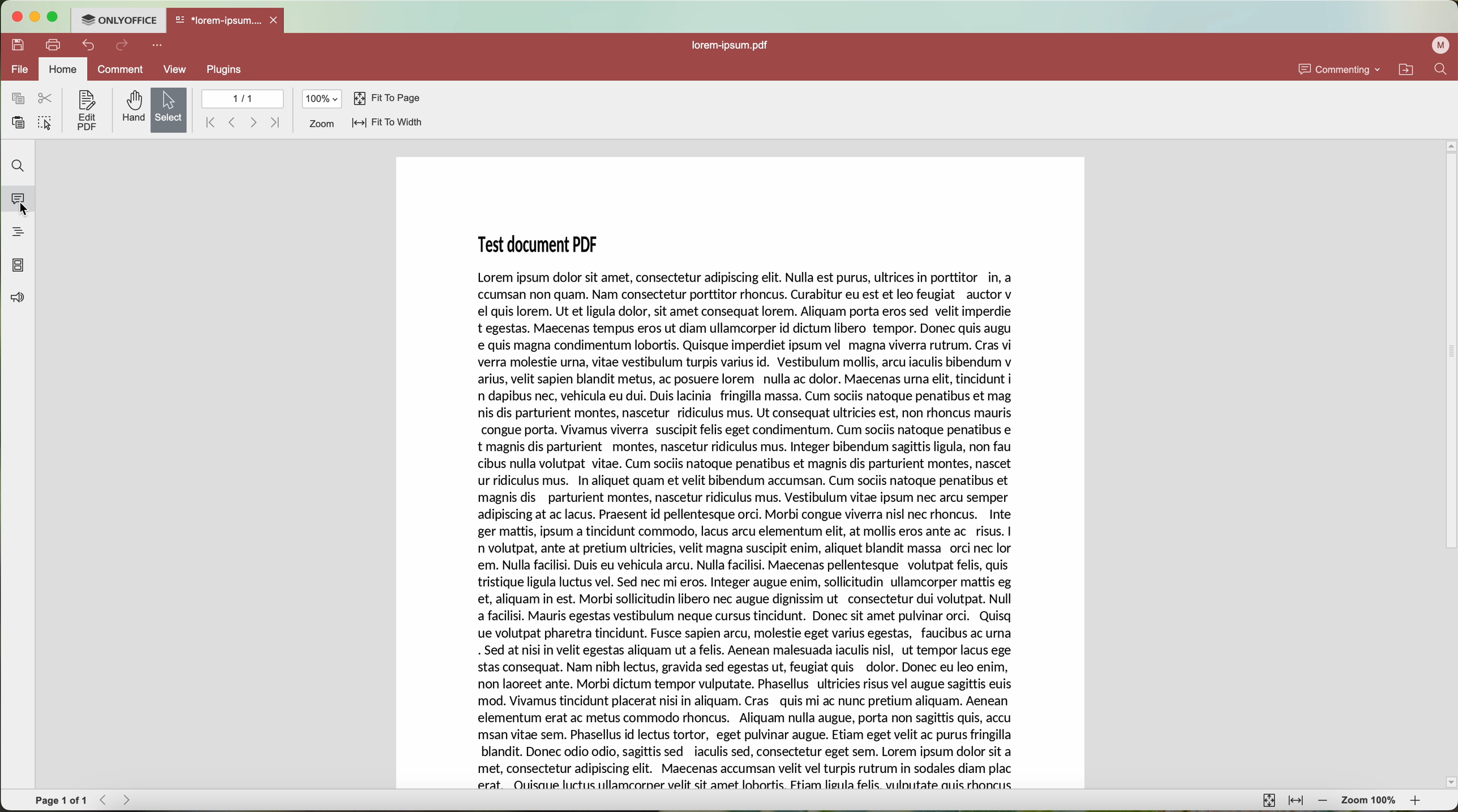 Image resolution: width=1458 pixels, height=812 pixels. Describe the element at coordinates (53, 46) in the screenshot. I see `print` at that location.